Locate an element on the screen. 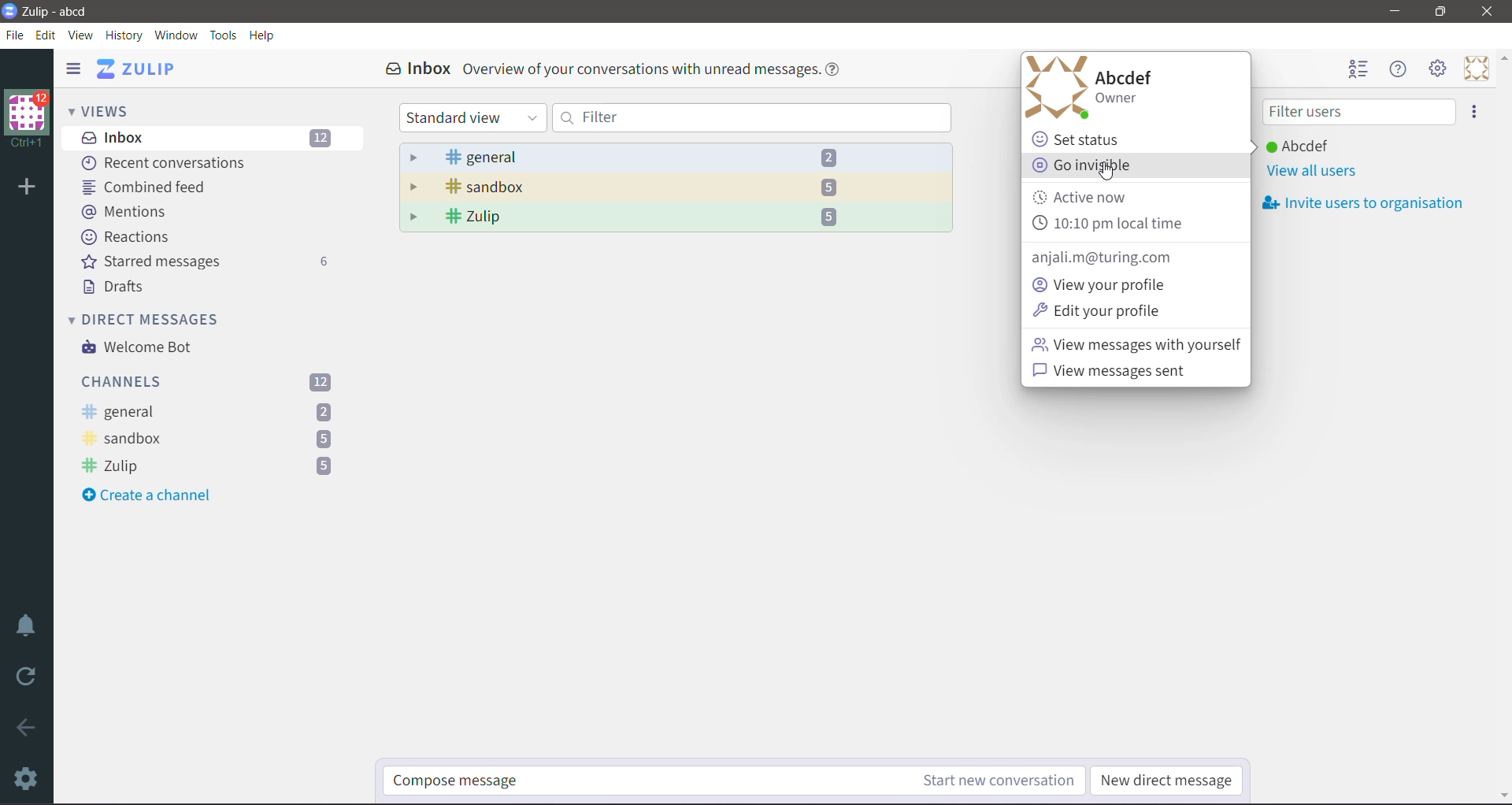 Image resolution: width=1512 pixels, height=805 pixels. Set status is located at coordinates (1089, 138).